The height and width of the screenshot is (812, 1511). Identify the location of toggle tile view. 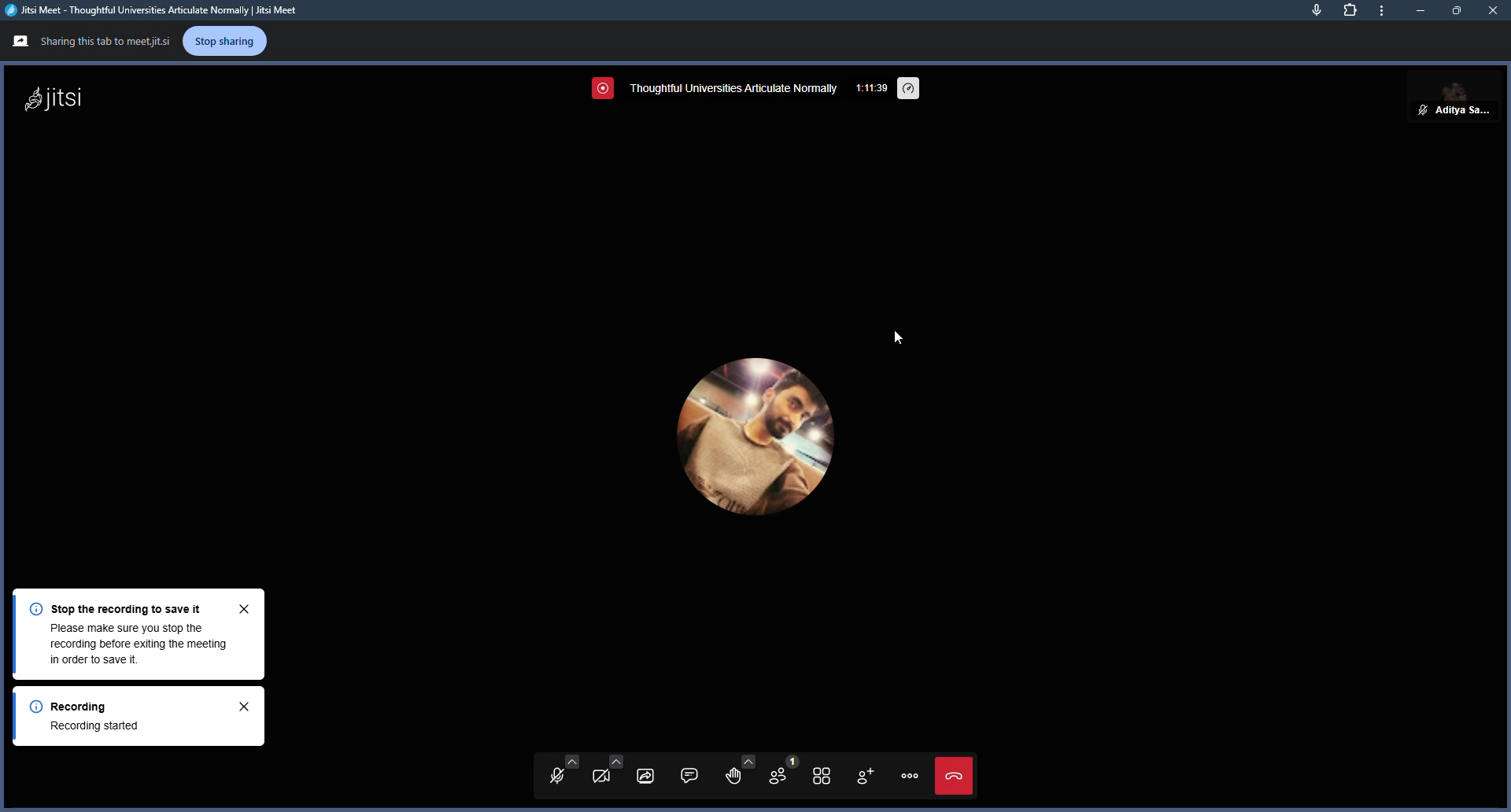
(822, 777).